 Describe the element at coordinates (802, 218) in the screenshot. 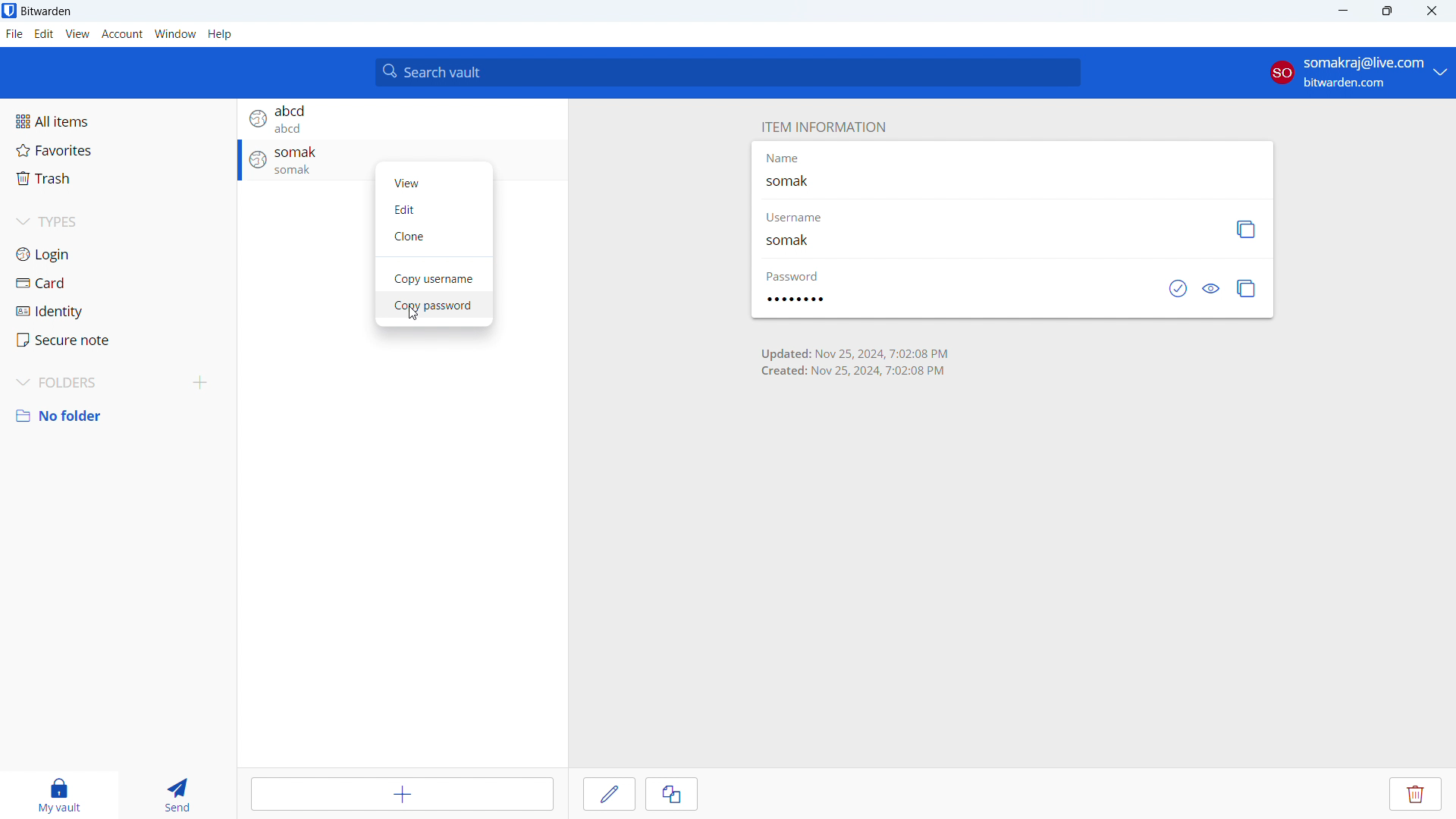

I see `username` at that location.